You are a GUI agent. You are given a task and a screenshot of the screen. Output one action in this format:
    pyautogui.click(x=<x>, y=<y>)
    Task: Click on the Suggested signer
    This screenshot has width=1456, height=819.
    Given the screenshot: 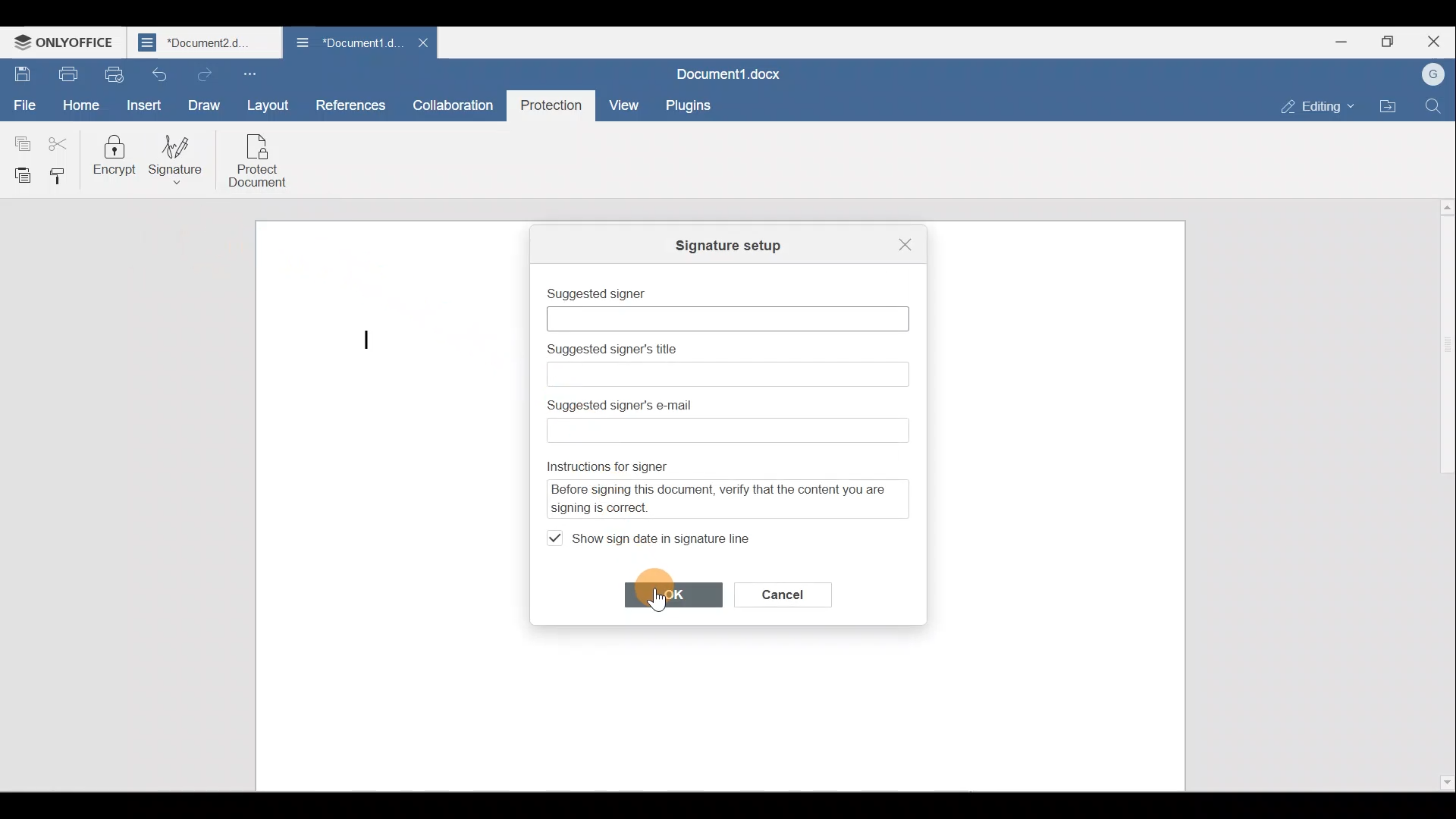 What is the action you would take?
    pyautogui.click(x=602, y=287)
    